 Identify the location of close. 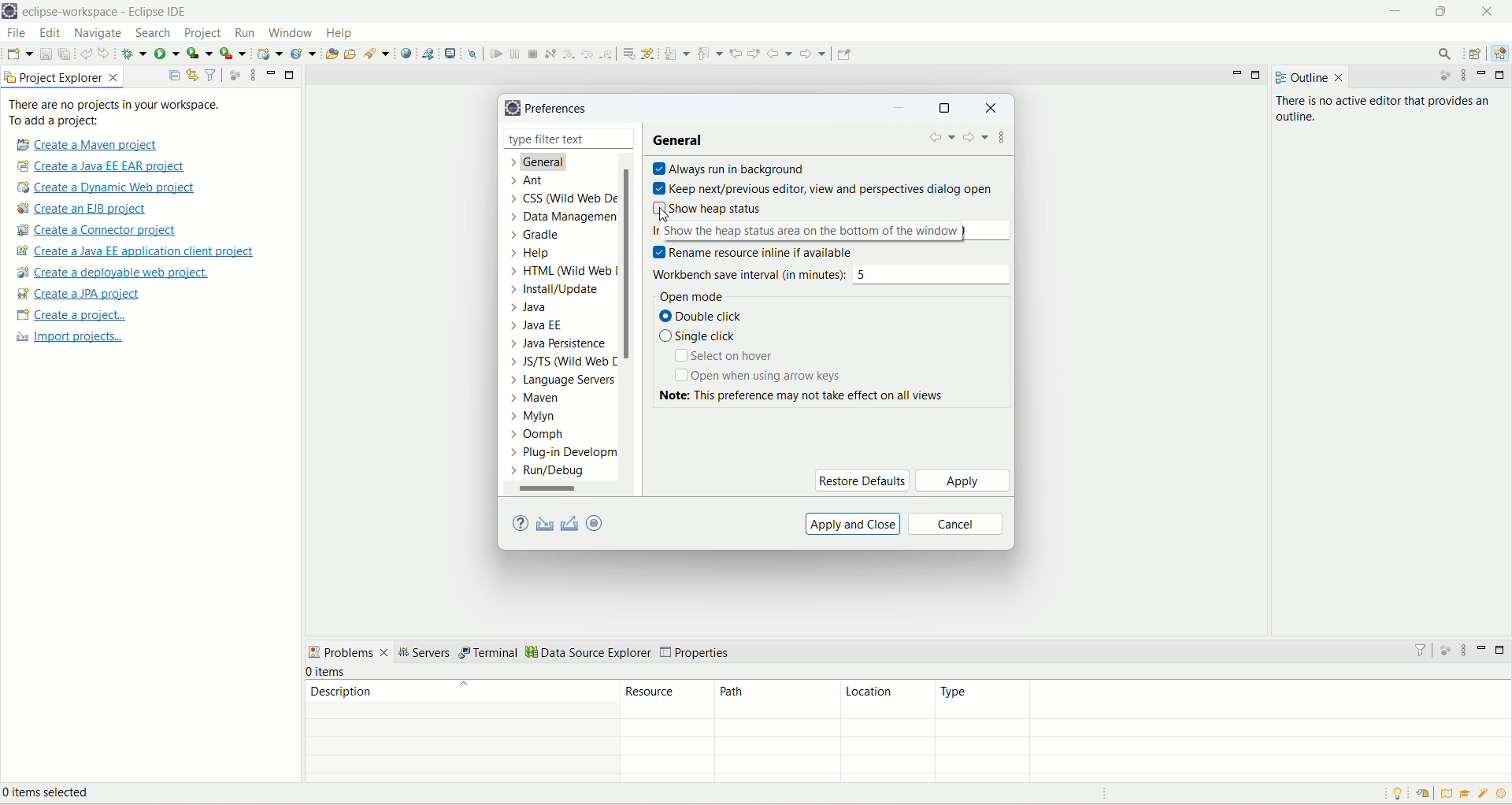
(1340, 78).